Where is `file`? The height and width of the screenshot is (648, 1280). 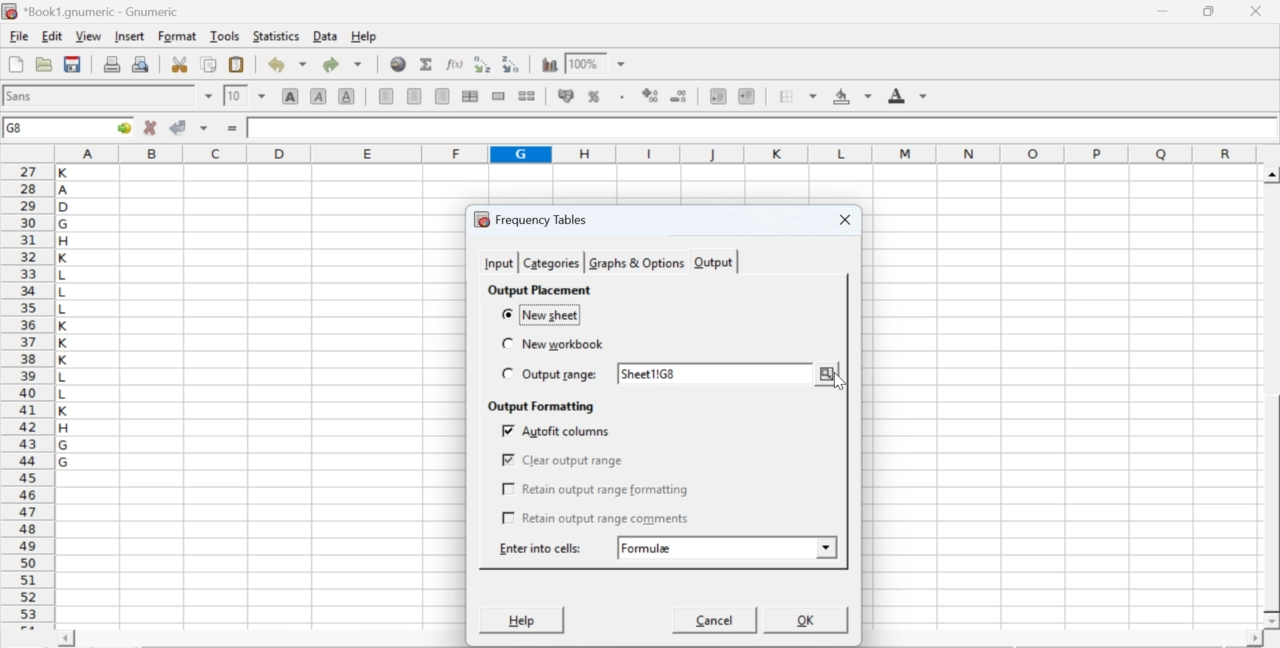 file is located at coordinates (18, 37).